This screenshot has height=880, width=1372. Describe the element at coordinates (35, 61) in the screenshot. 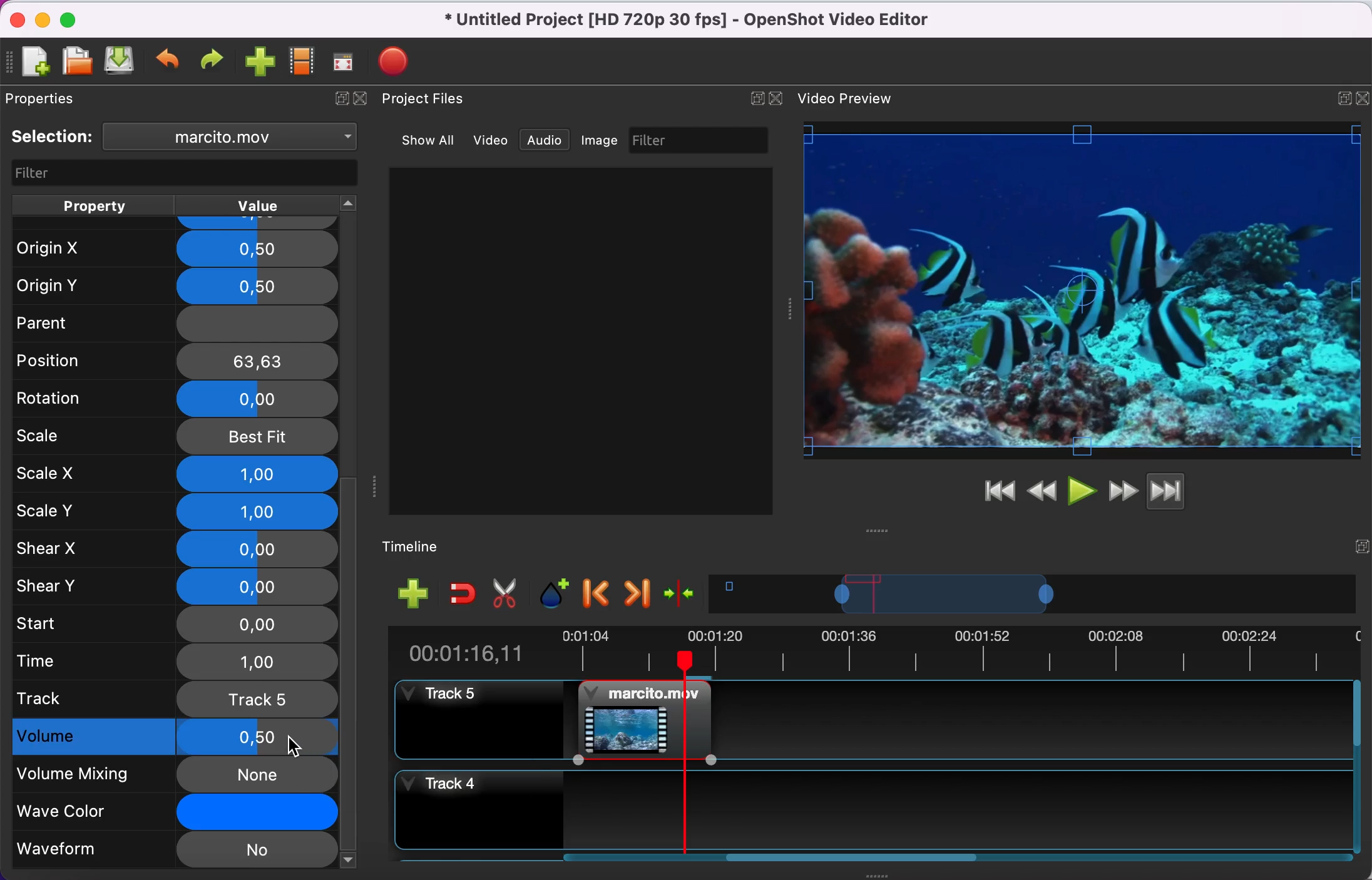

I see `new file` at that location.